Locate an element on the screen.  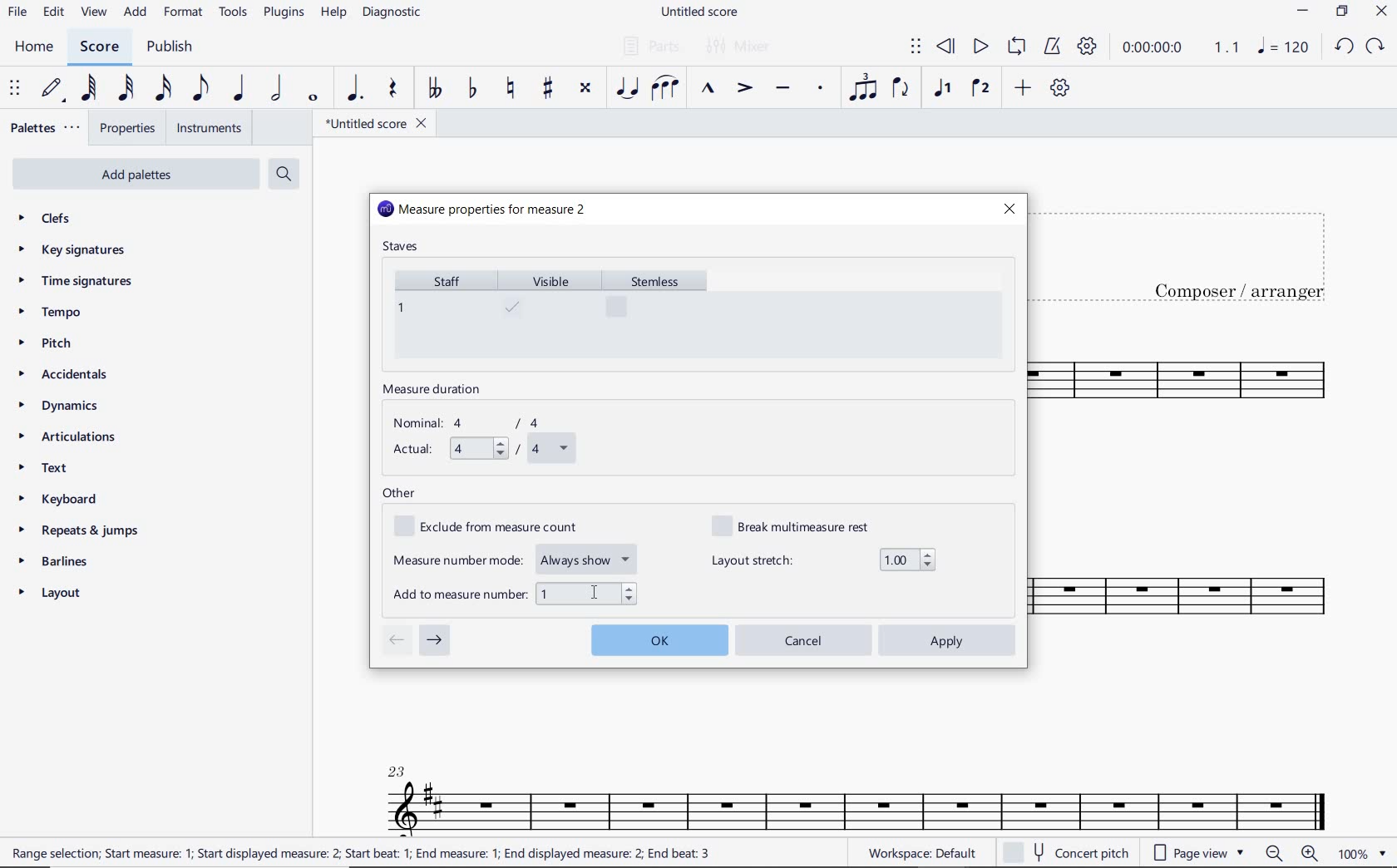
SCORE is located at coordinates (99, 47).